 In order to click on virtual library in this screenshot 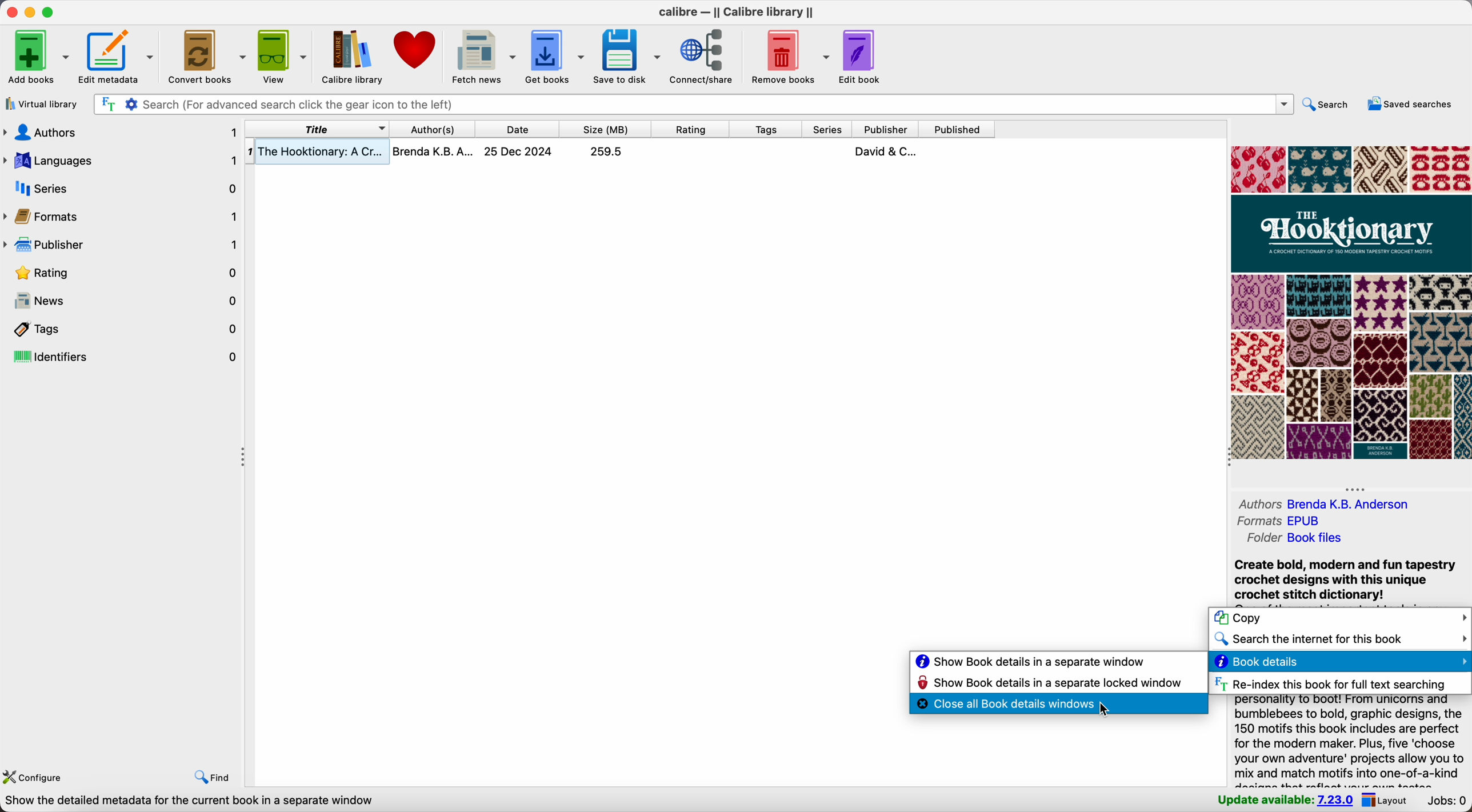, I will do `click(43, 104)`.